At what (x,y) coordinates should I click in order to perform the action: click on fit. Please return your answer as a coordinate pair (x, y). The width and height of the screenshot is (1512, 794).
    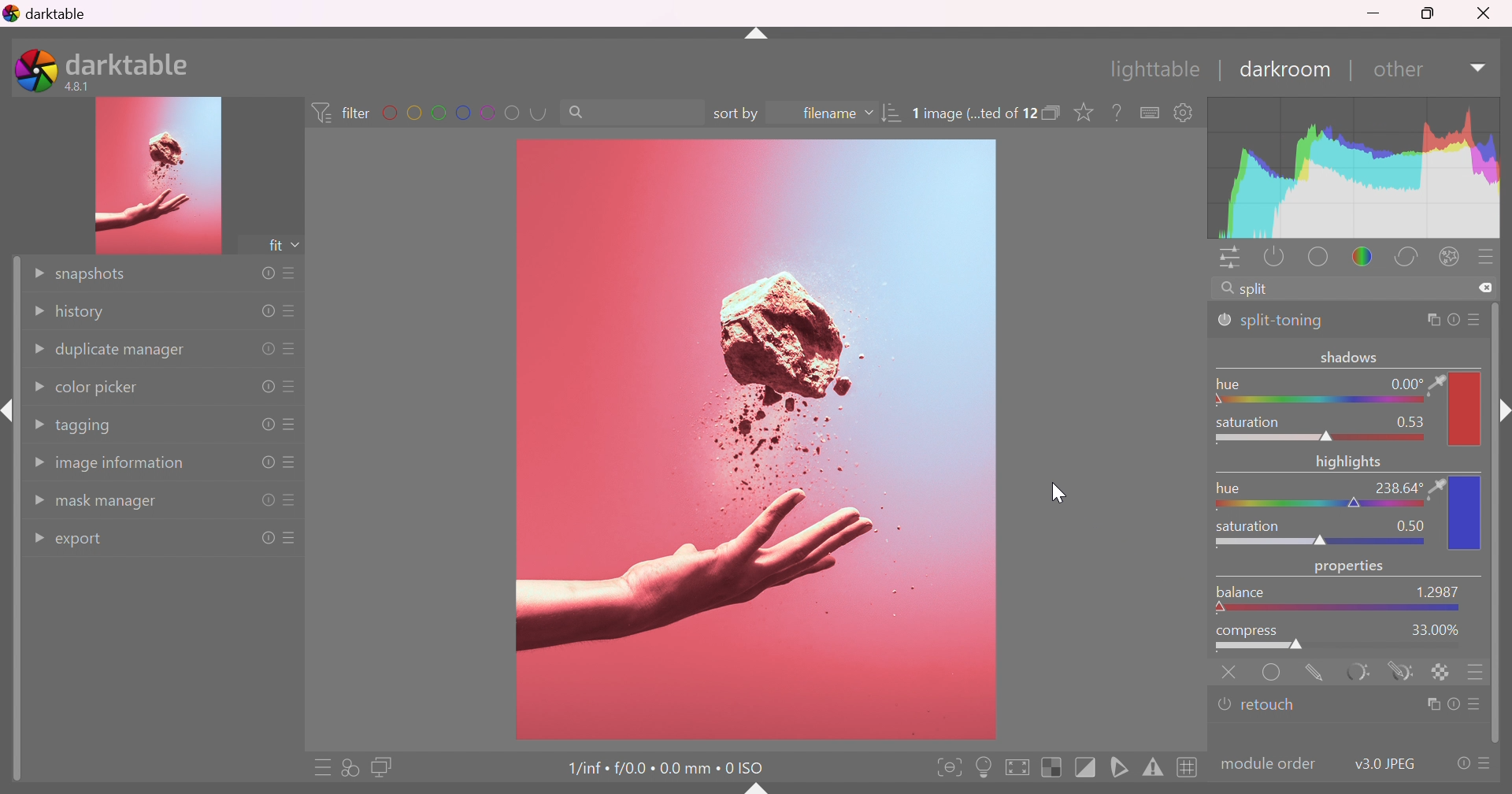
    Looking at the image, I should click on (272, 246).